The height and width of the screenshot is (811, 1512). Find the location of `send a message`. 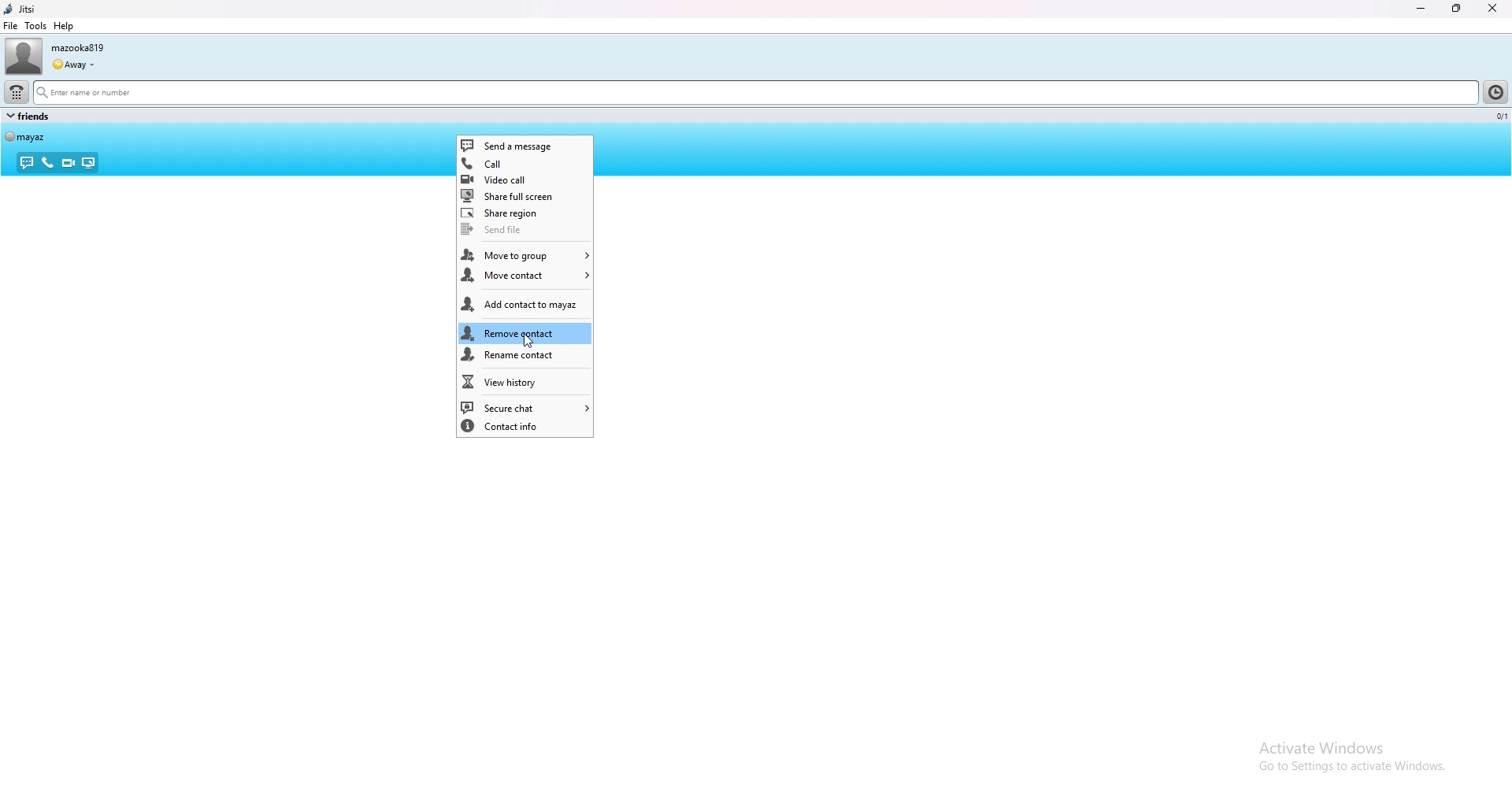

send a message is located at coordinates (525, 145).